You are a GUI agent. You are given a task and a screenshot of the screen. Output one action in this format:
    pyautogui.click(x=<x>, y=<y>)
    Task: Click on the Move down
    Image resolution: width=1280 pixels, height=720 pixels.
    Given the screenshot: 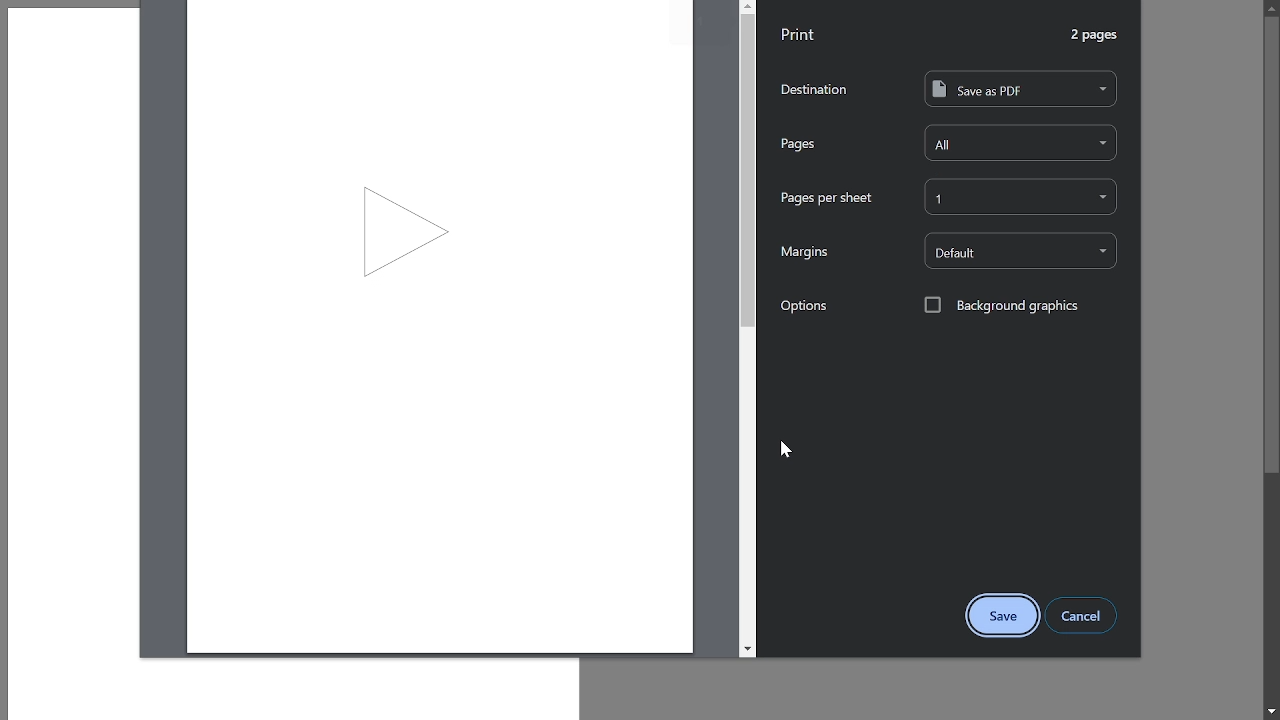 What is the action you would take?
    pyautogui.click(x=748, y=649)
    